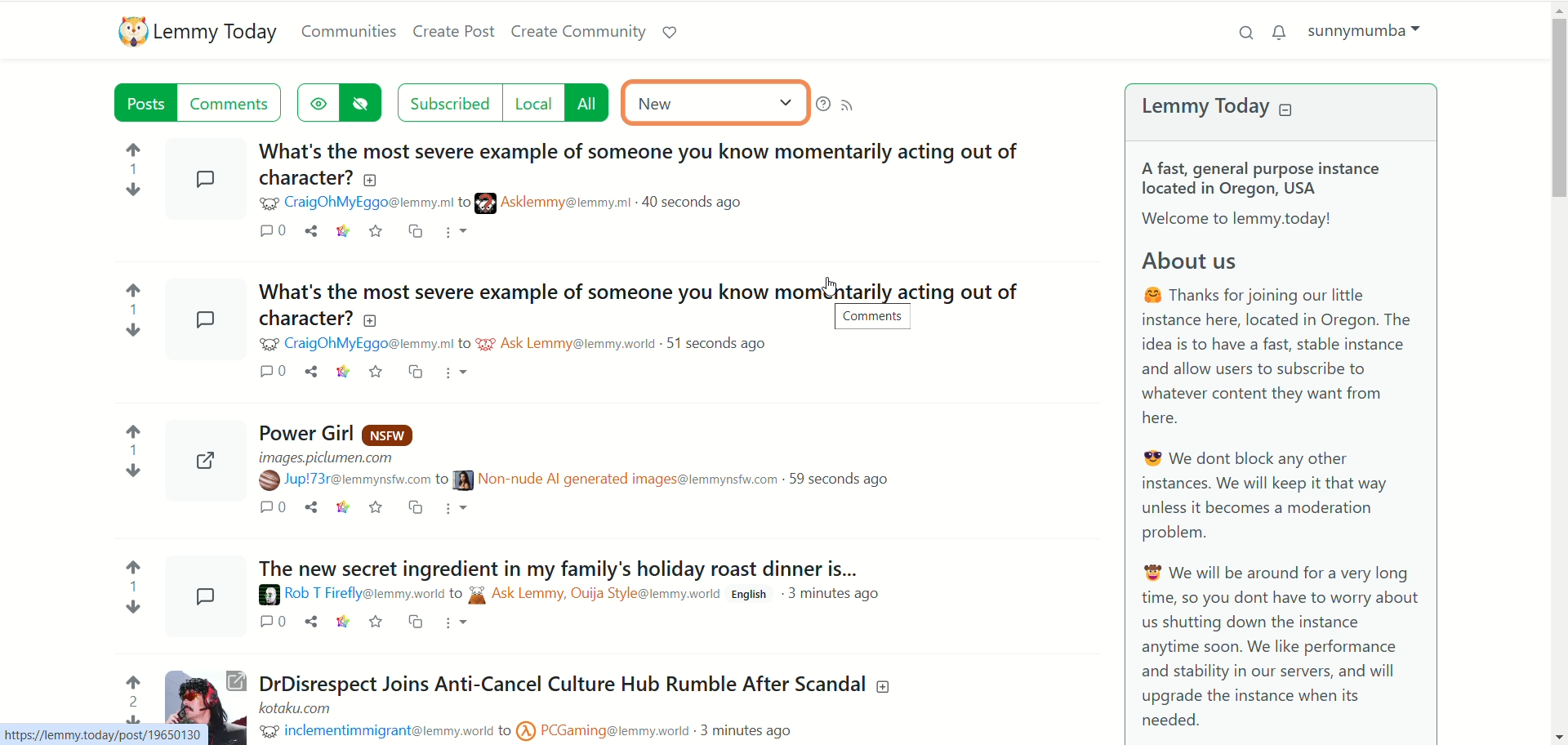 Image resolution: width=1568 pixels, height=745 pixels. I want to click on cross post, so click(420, 623).